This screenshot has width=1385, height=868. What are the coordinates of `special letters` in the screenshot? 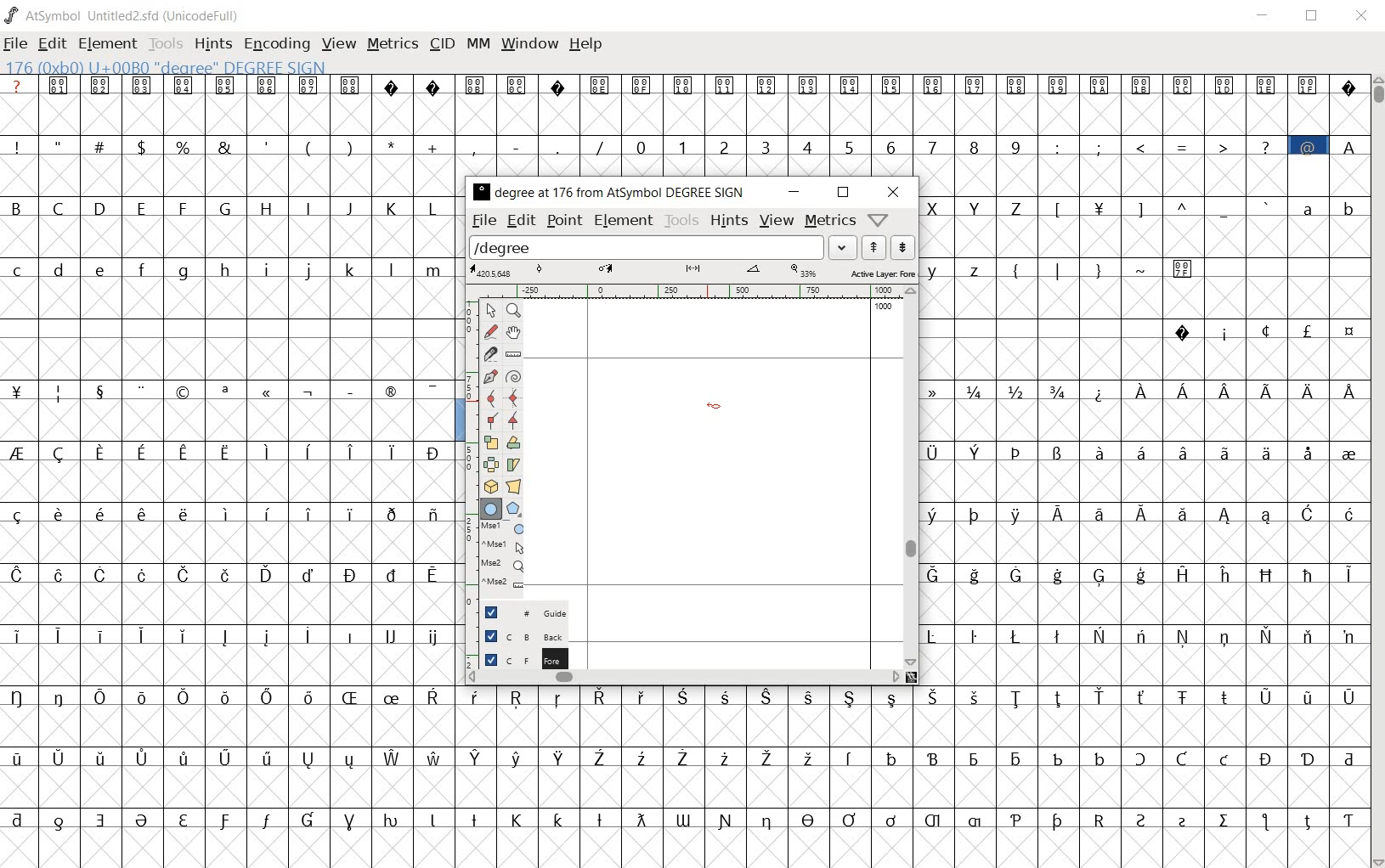 It's located at (1139, 511).